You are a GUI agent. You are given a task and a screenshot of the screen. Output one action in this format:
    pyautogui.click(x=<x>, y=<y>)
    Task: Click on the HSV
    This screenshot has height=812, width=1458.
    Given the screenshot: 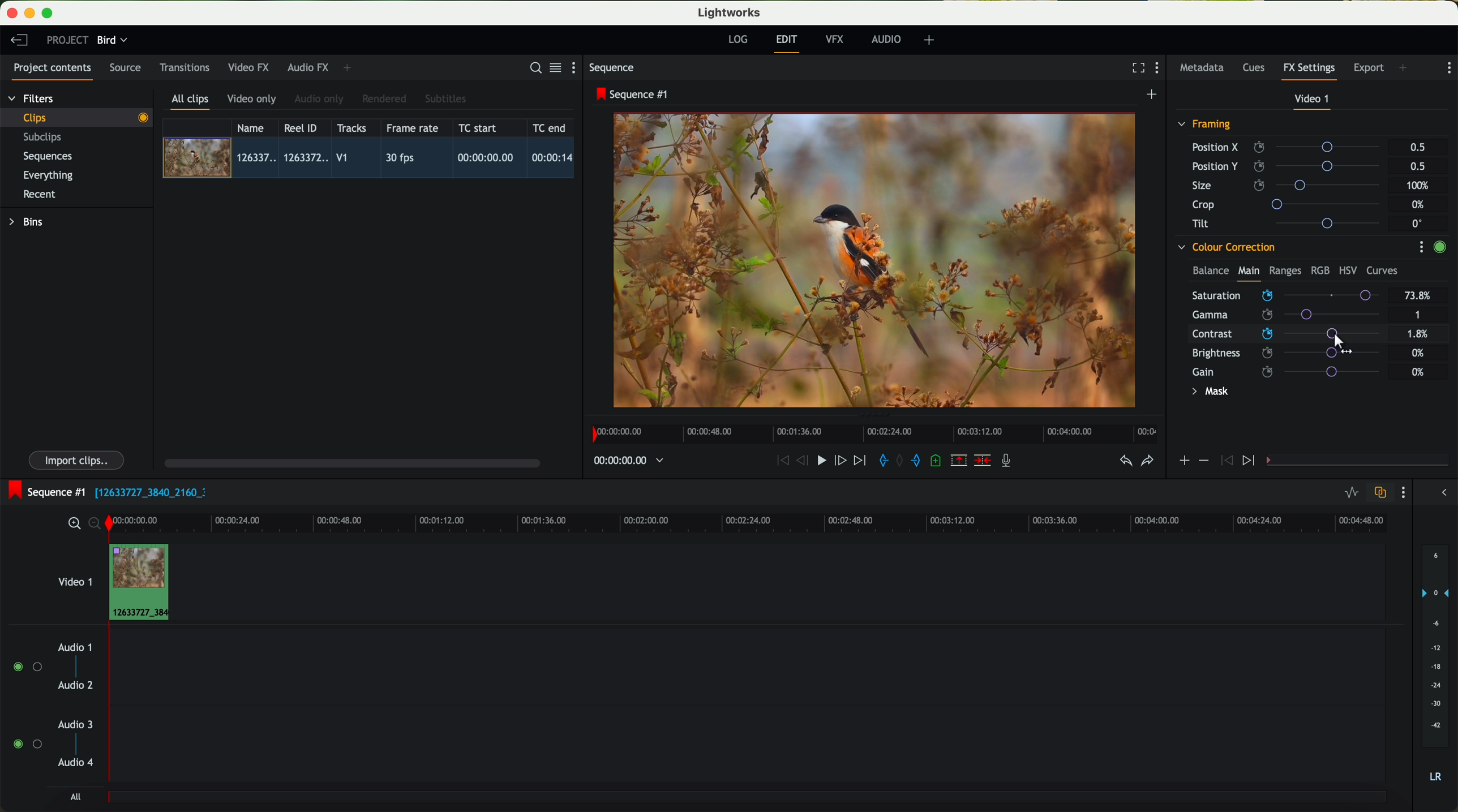 What is the action you would take?
    pyautogui.click(x=1347, y=270)
    